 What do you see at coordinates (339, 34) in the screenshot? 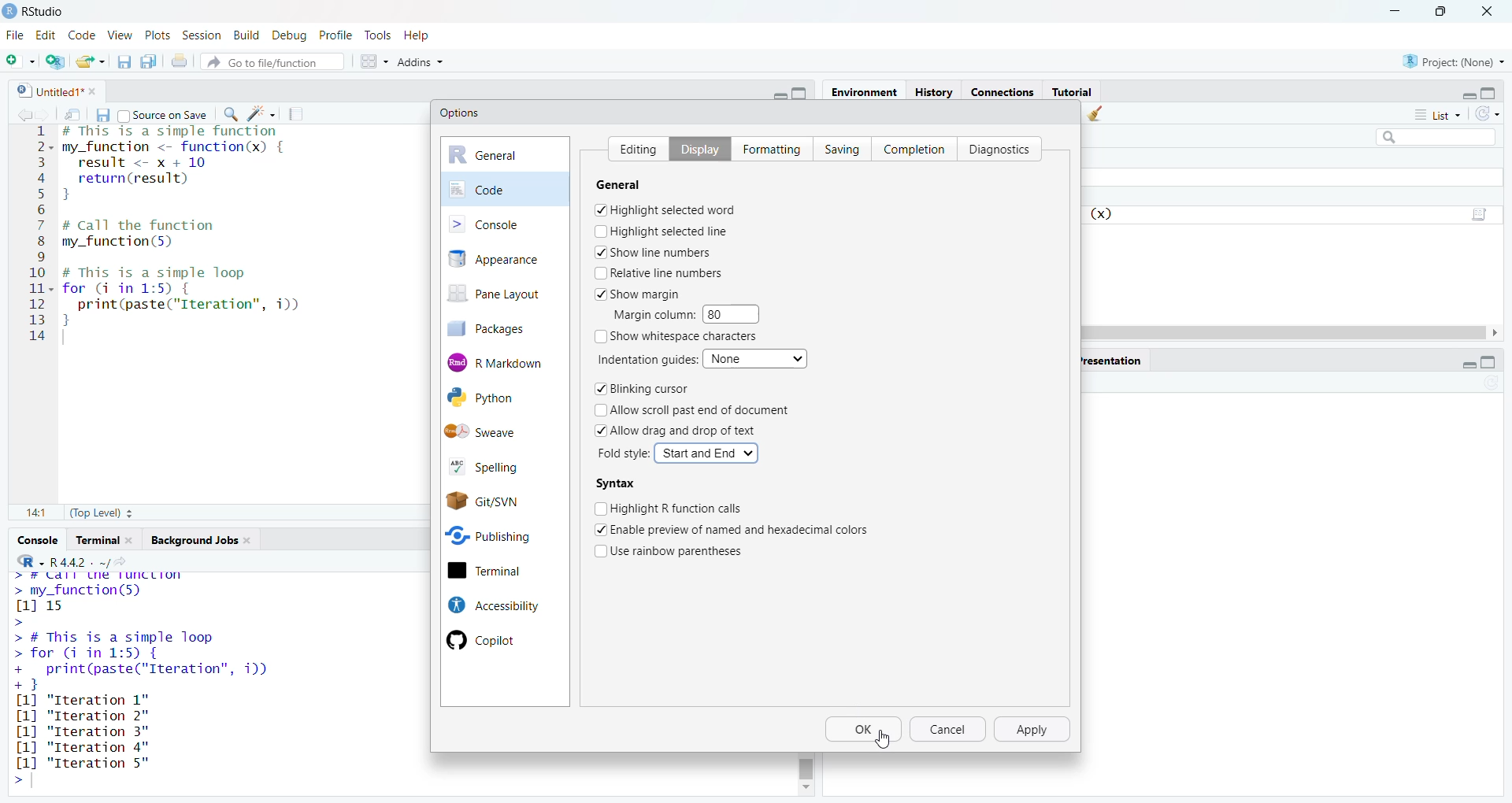
I see `profile` at bounding box center [339, 34].